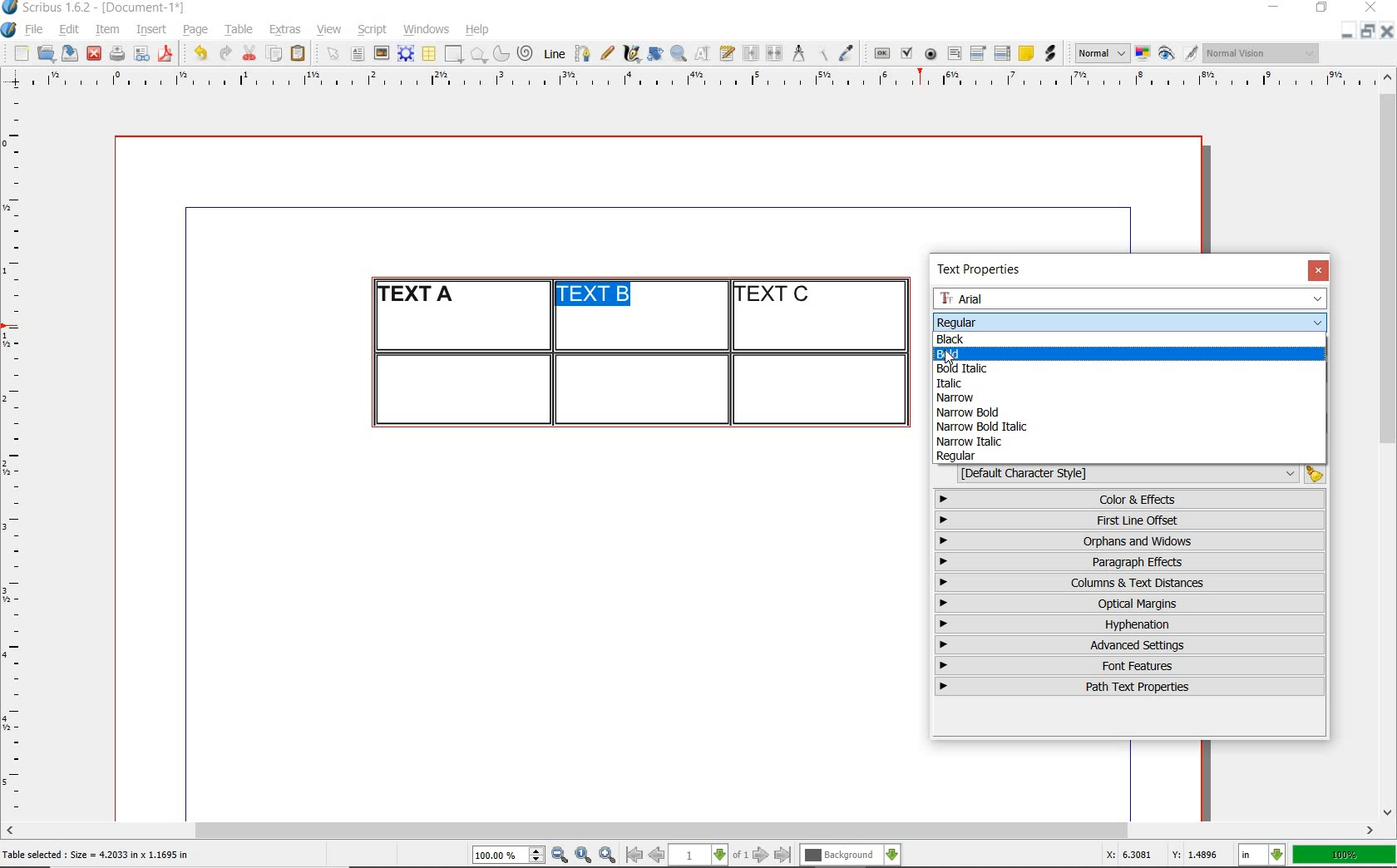  Describe the element at coordinates (1016, 354) in the screenshot. I see `Bold` at that location.